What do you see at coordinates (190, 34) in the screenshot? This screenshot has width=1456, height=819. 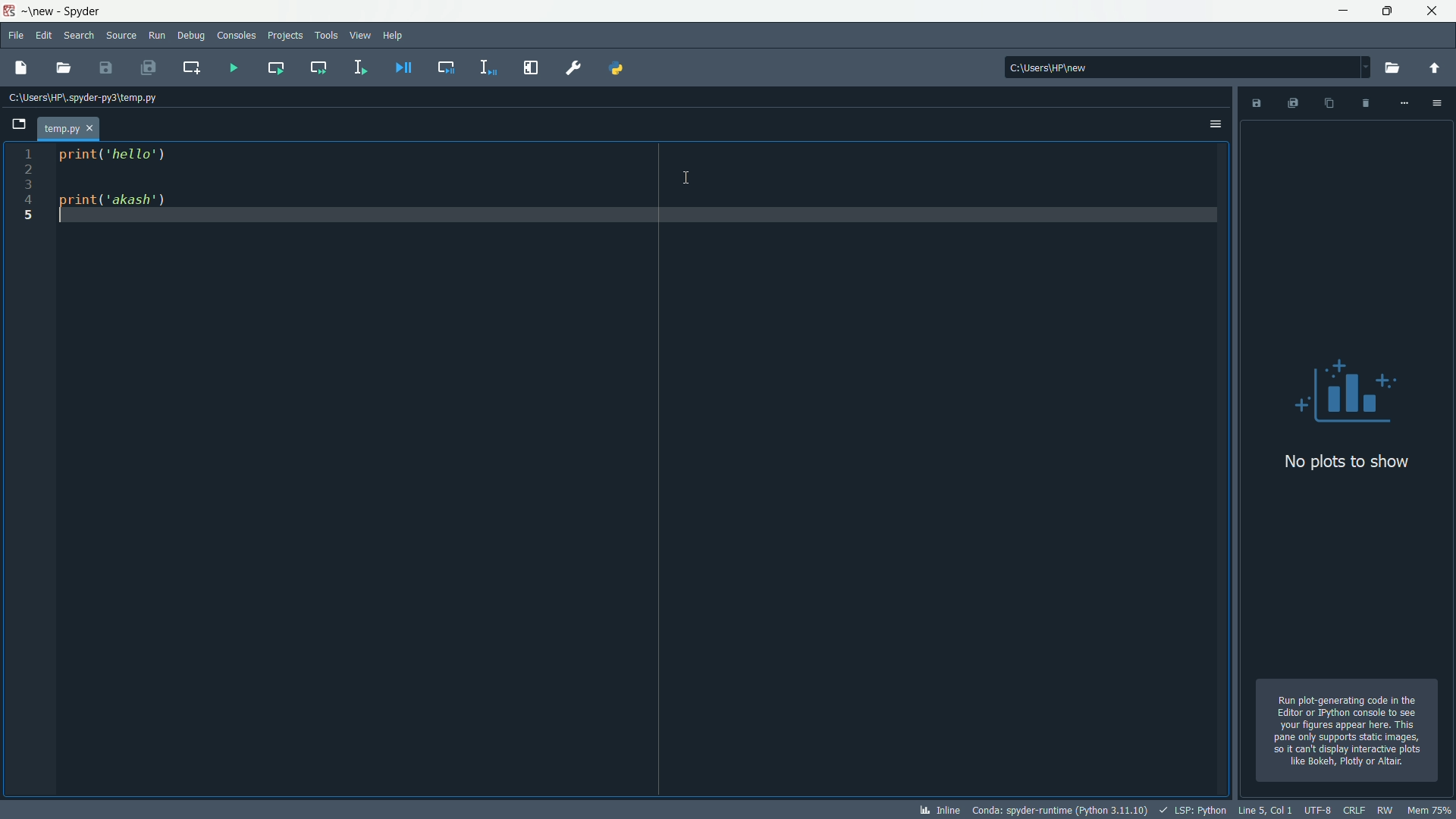 I see `debug menu` at bounding box center [190, 34].